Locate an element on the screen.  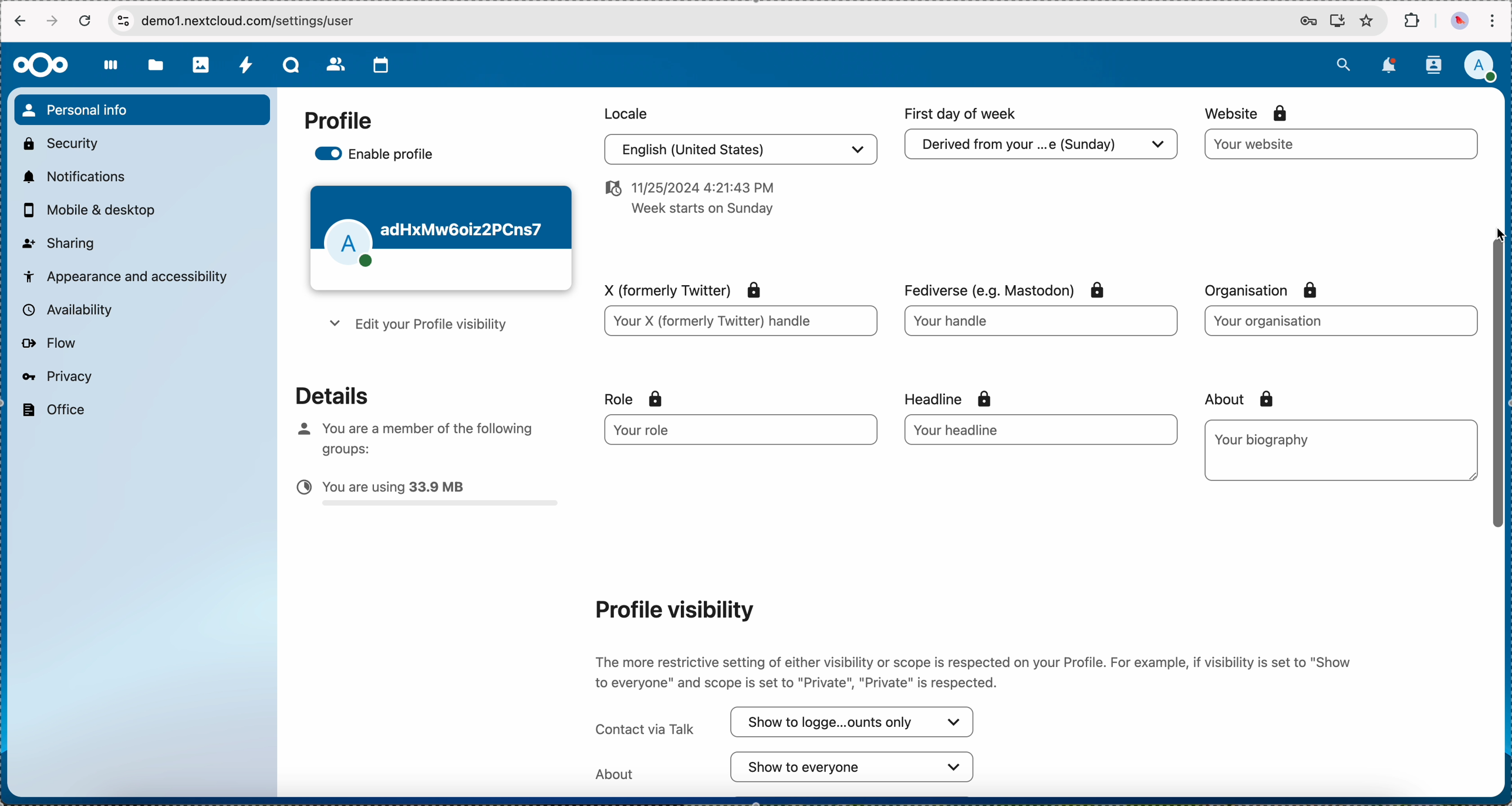
role is located at coordinates (634, 399).